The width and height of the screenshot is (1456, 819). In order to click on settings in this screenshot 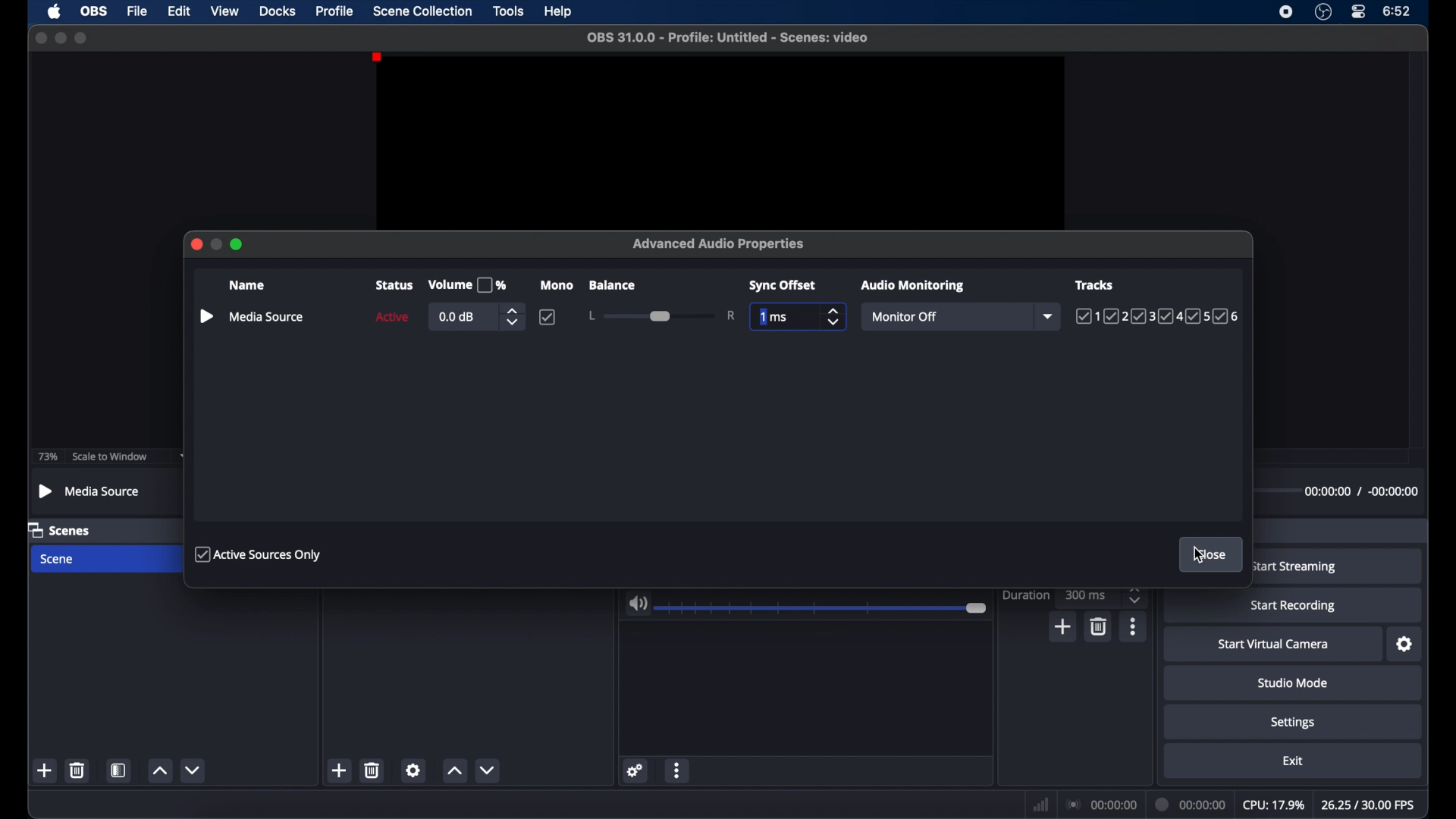, I will do `click(1291, 722)`.